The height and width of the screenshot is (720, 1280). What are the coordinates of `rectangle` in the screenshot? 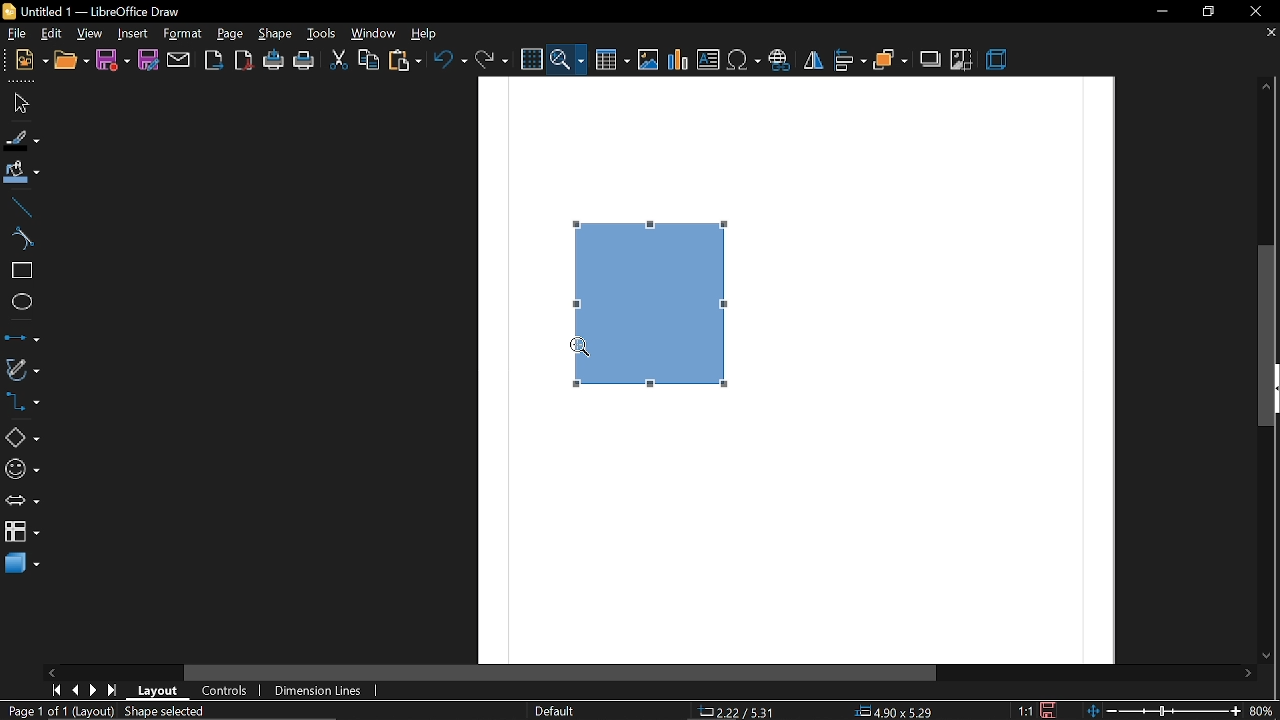 It's located at (20, 269).